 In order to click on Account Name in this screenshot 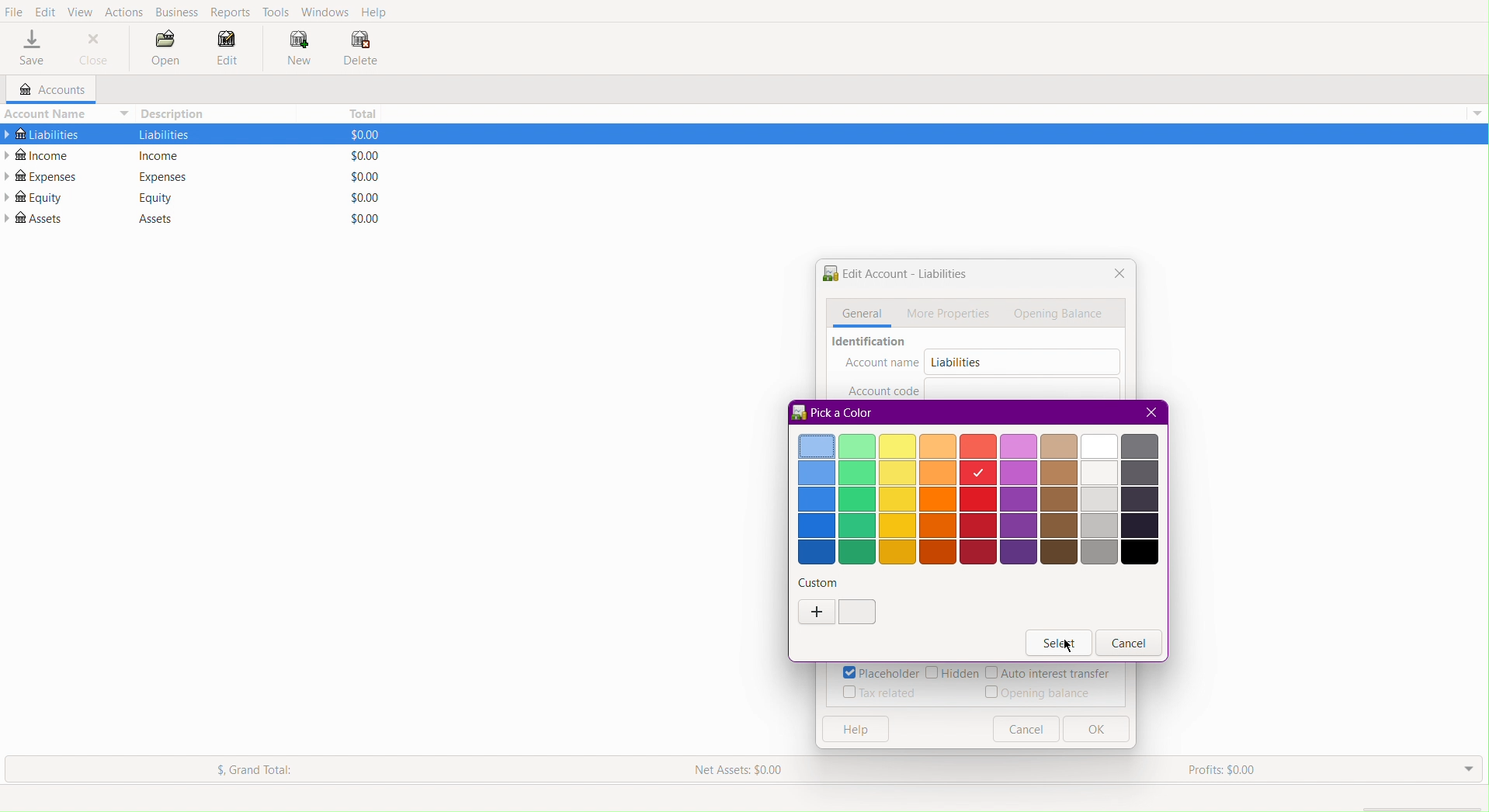, I will do `click(65, 113)`.